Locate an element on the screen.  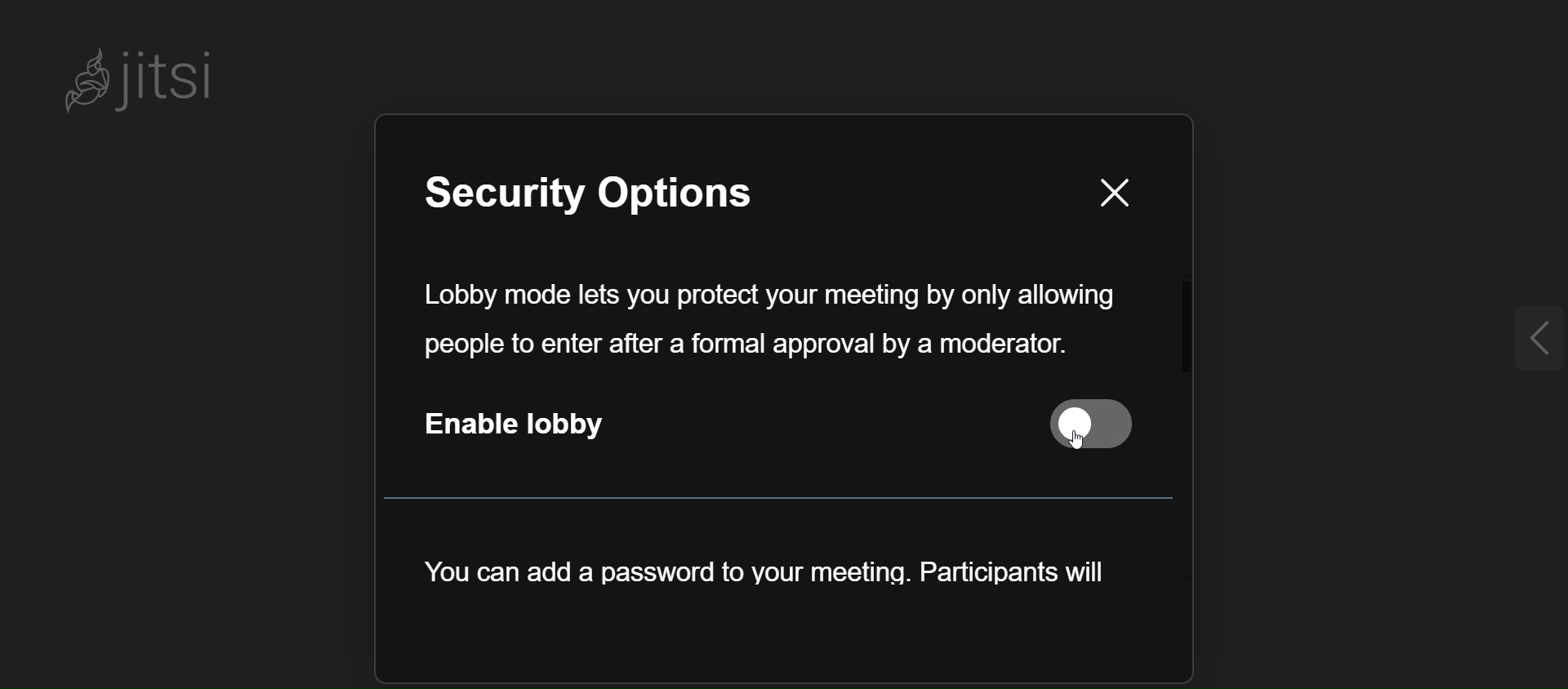
expand is located at coordinates (1530, 340).